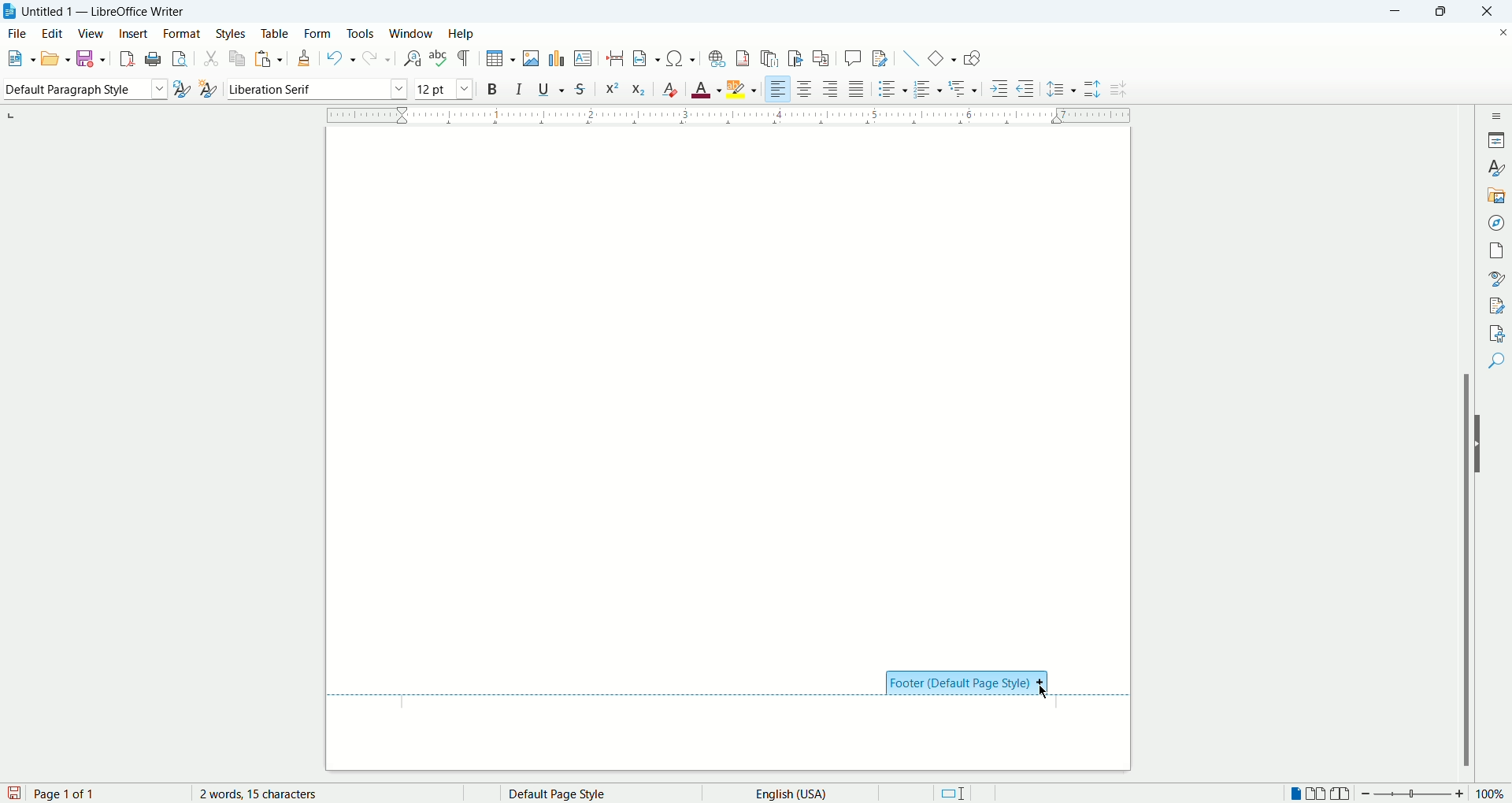 Image resolution: width=1512 pixels, height=803 pixels. Describe the element at coordinates (821, 59) in the screenshot. I see `insert cross references` at that location.